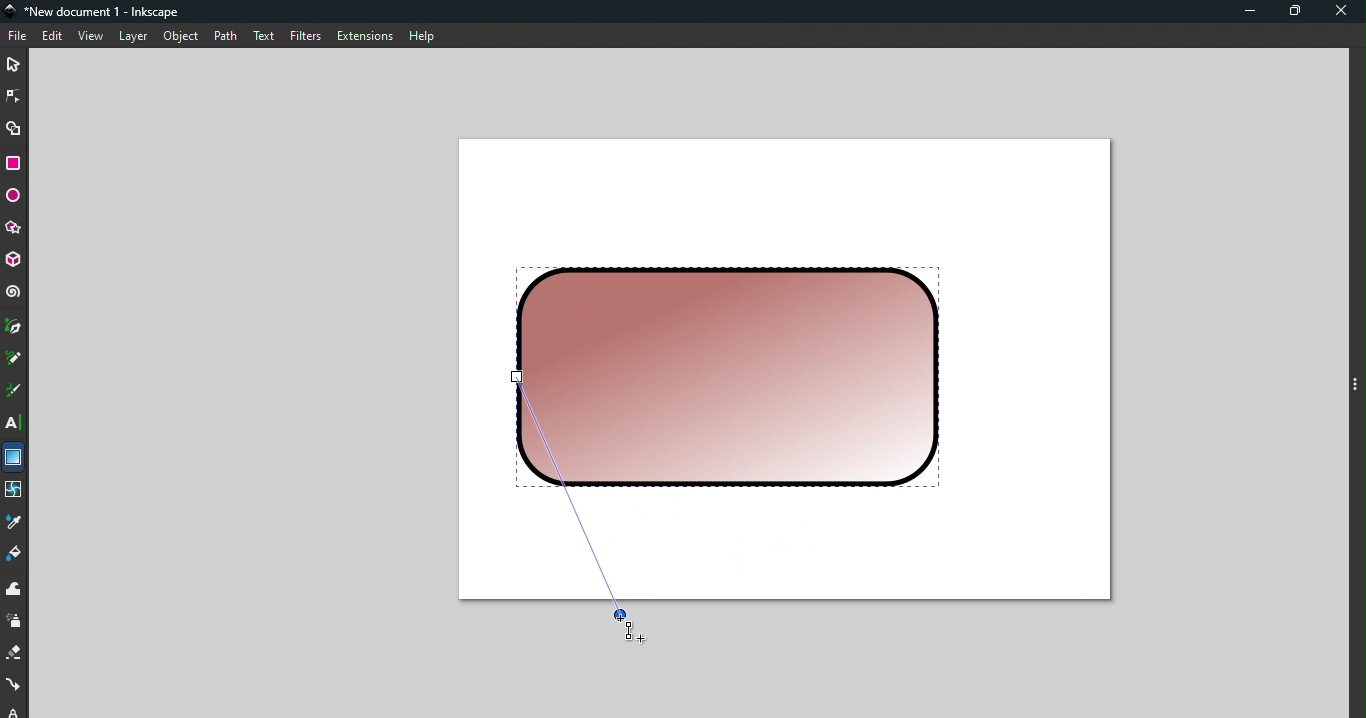  Describe the element at coordinates (579, 508) in the screenshot. I see `arranging the direction of color gradient ` at that location.